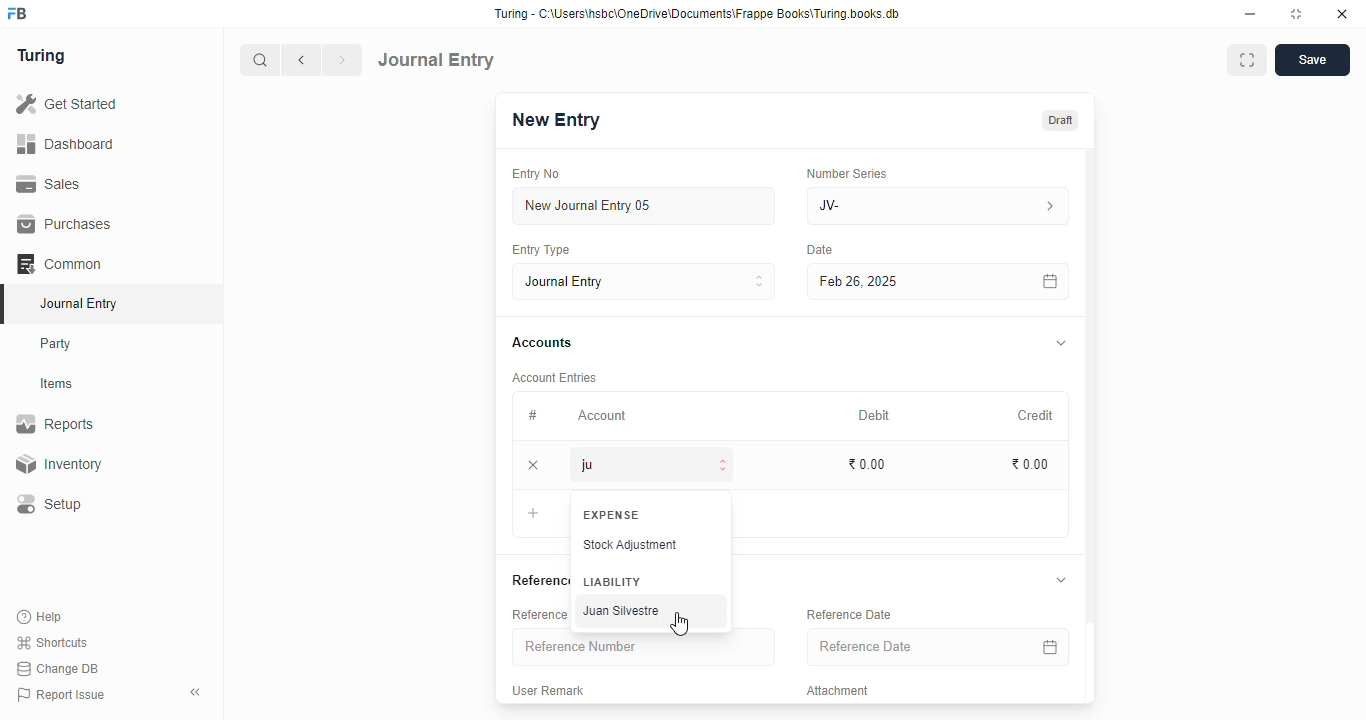 The height and width of the screenshot is (720, 1366). Describe the element at coordinates (868, 464) in the screenshot. I see `₹0.00` at that location.